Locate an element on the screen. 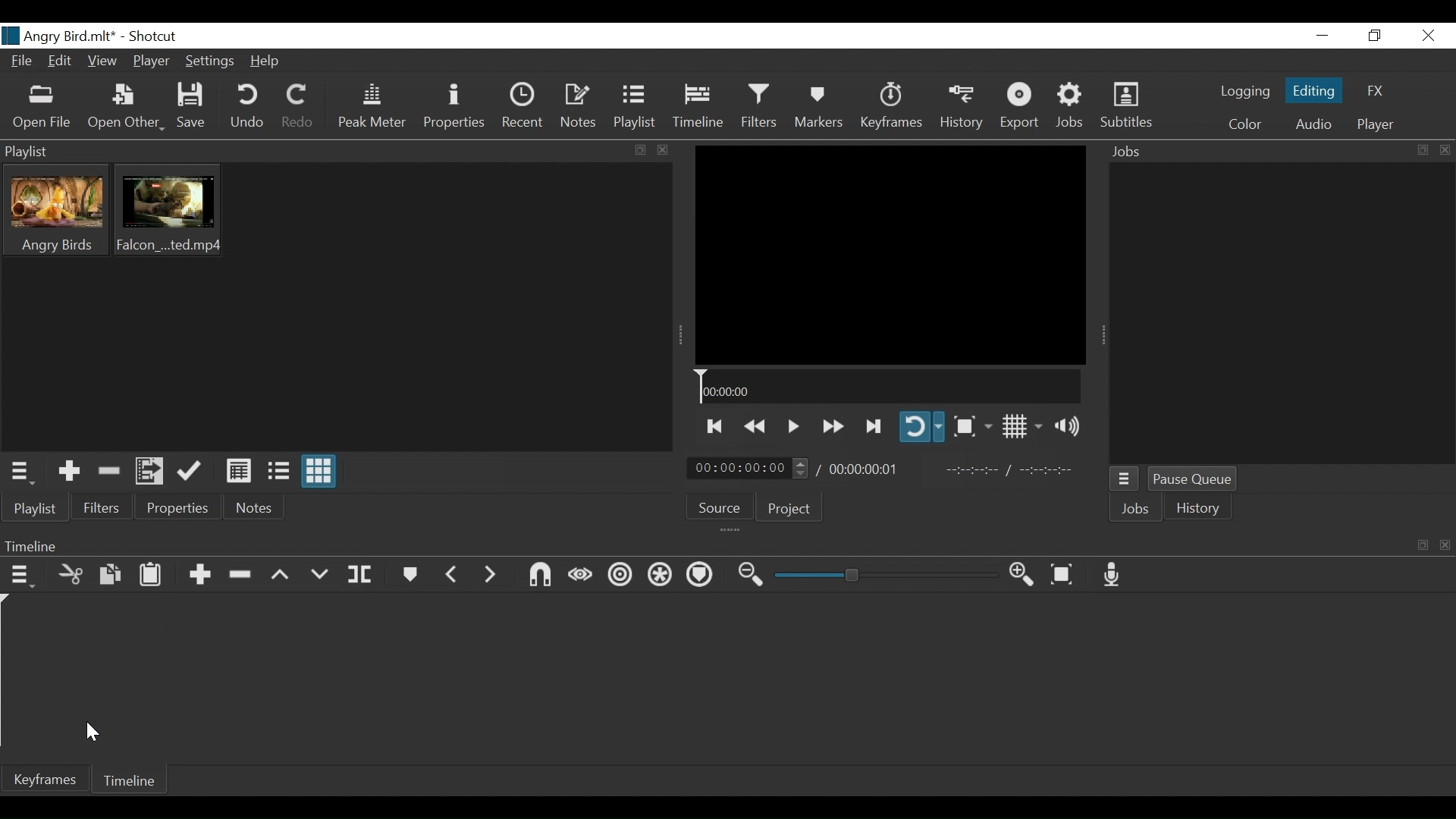 The image size is (1456, 819). Next marker is located at coordinates (492, 576).